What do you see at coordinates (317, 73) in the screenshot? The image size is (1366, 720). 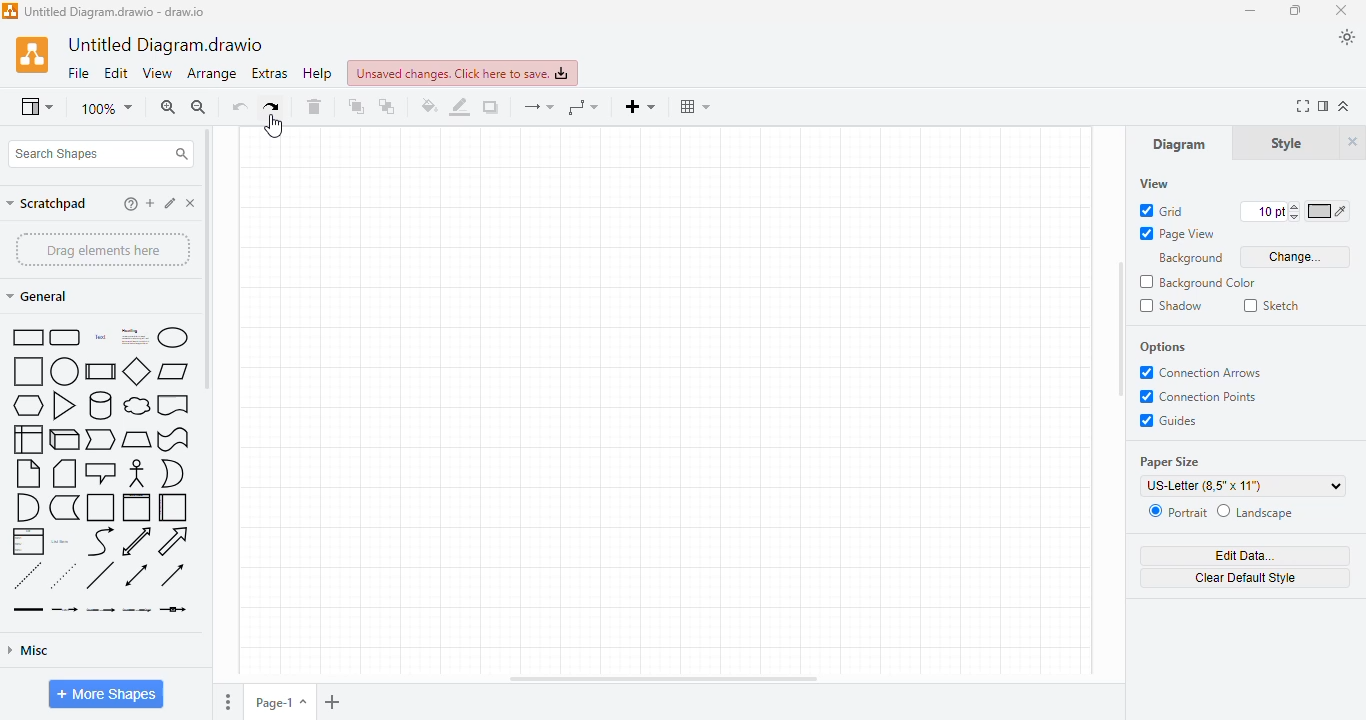 I see `help` at bounding box center [317, 73].